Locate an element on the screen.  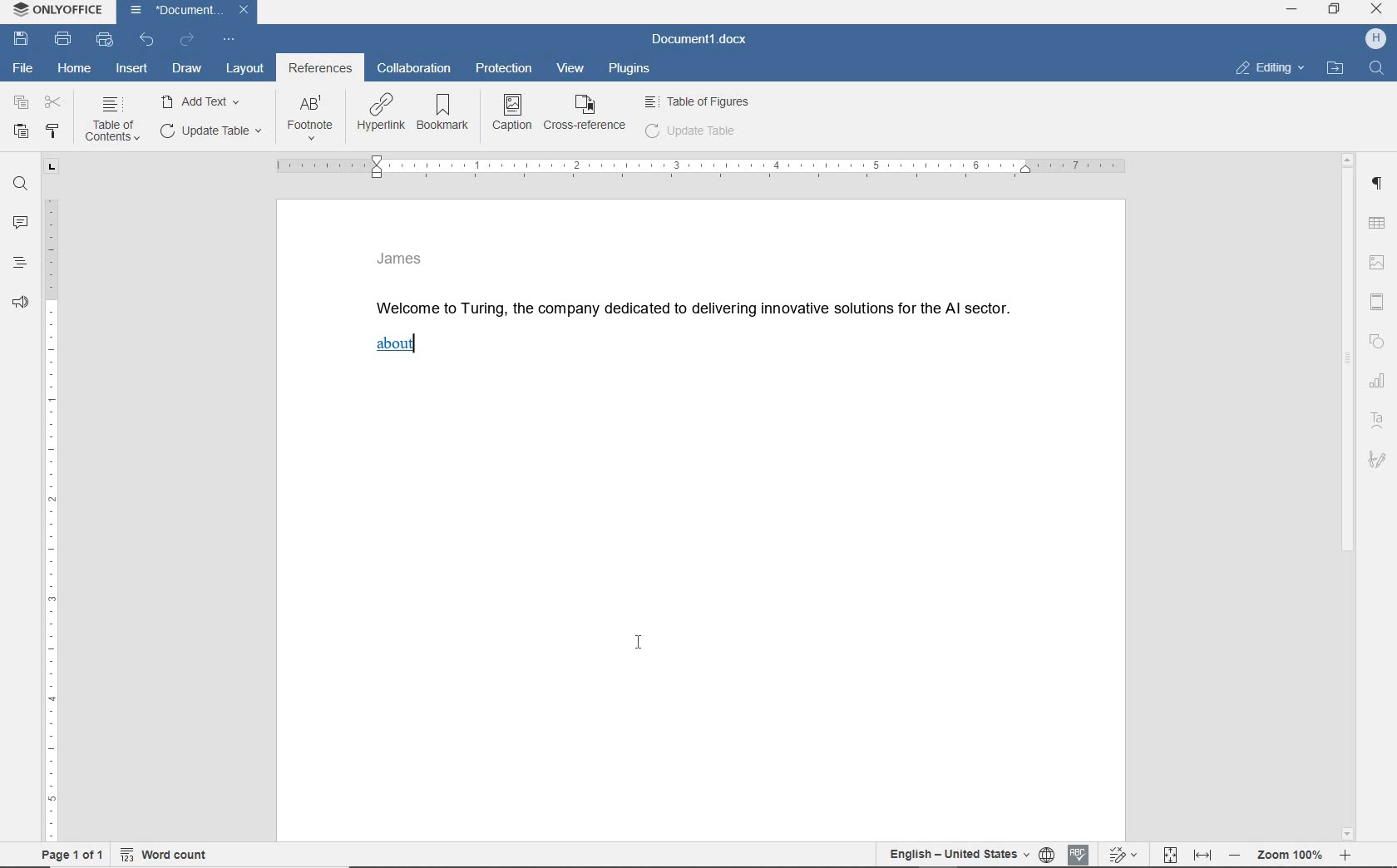
UPDATE TASK is located at coordinates (209, 131).